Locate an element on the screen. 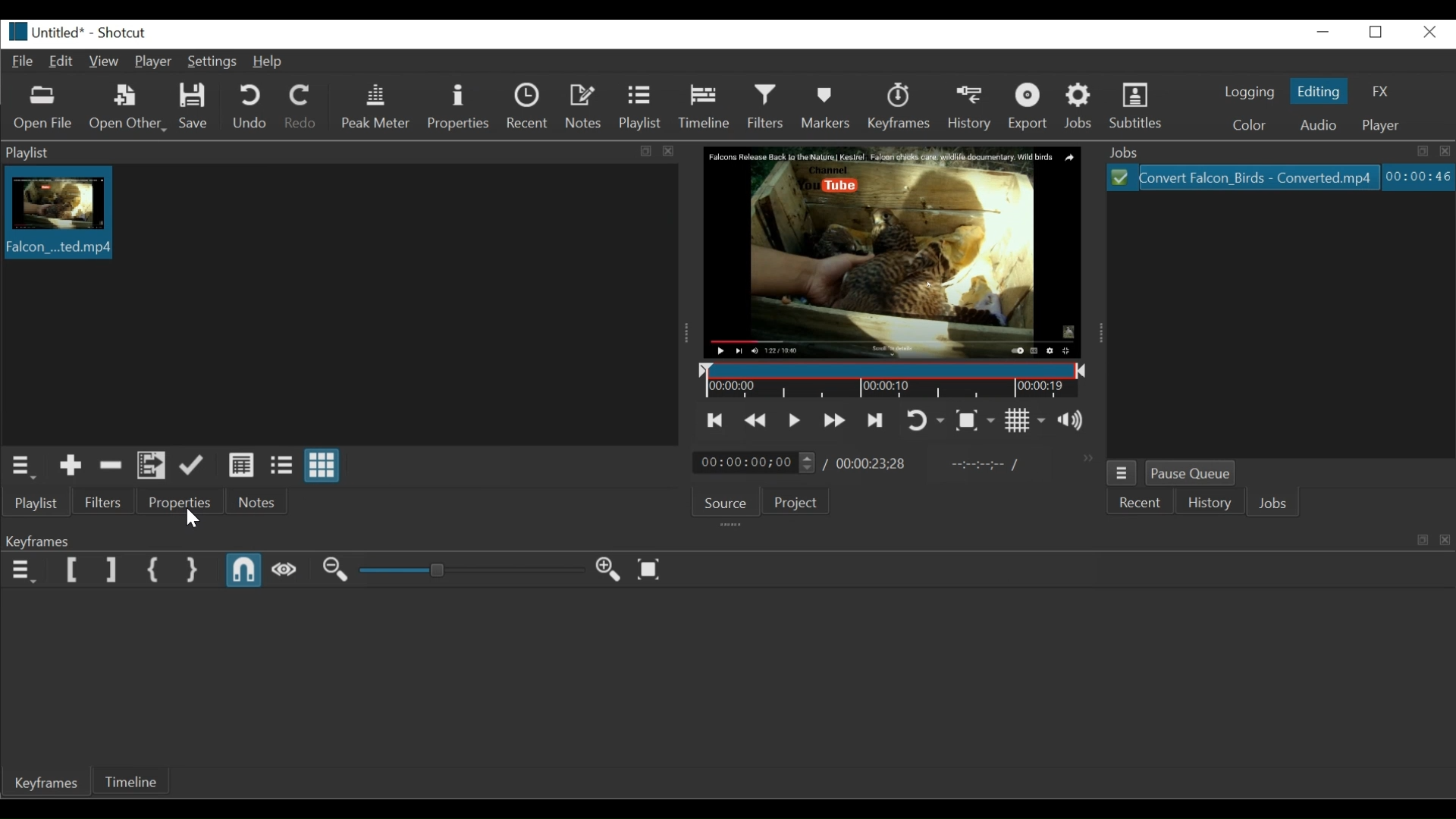  File Viewer is located at coordinates (1279, 324).